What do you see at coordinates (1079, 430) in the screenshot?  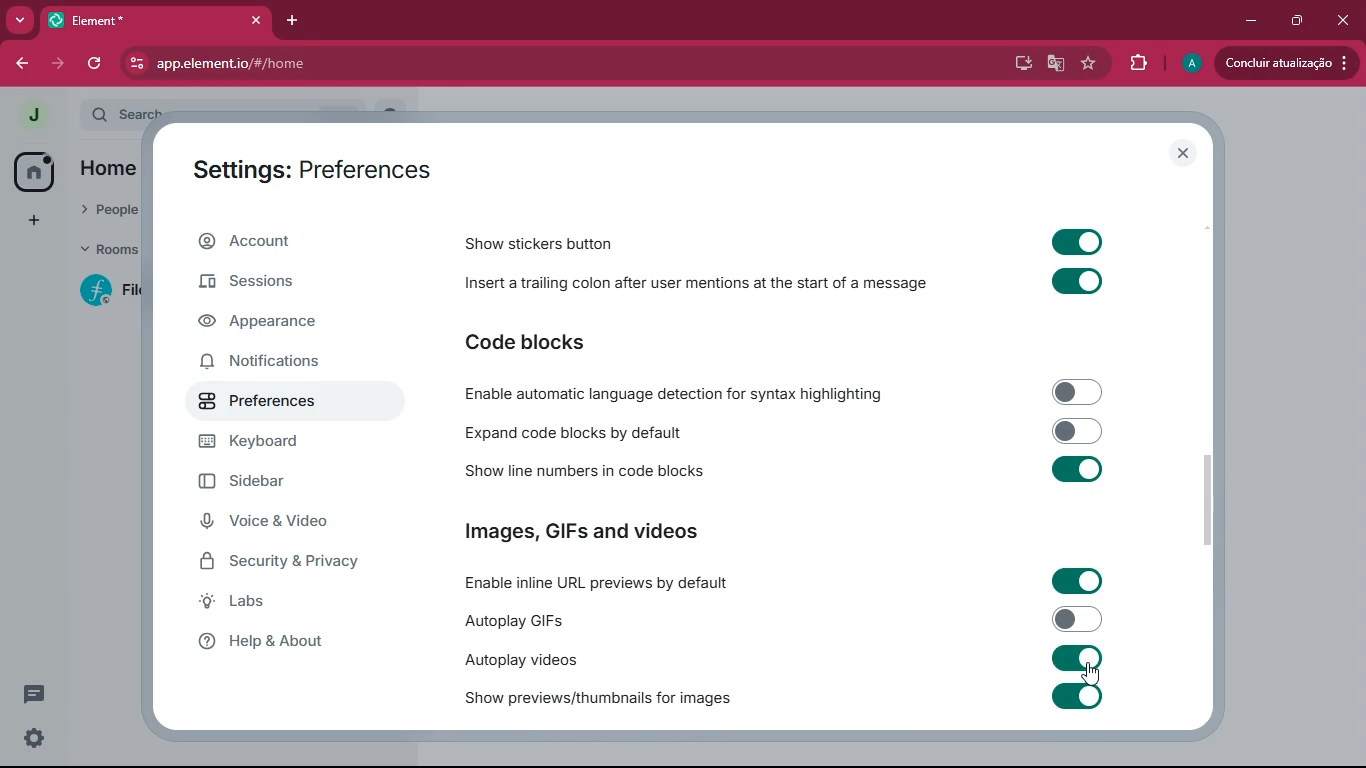 I see `` at bounding box center [1079, 430].